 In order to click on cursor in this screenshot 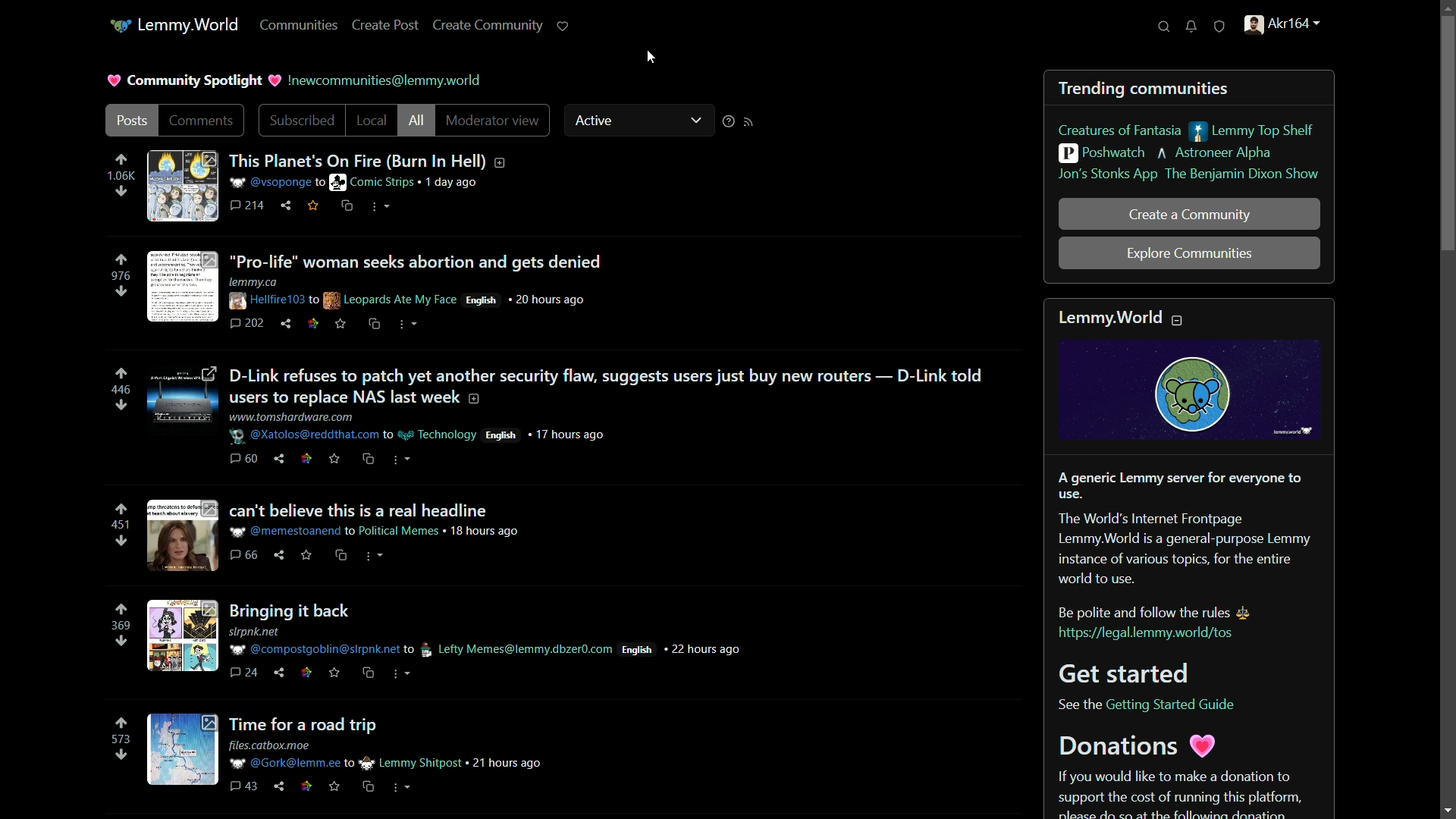, I will do `click(653, 58)`.